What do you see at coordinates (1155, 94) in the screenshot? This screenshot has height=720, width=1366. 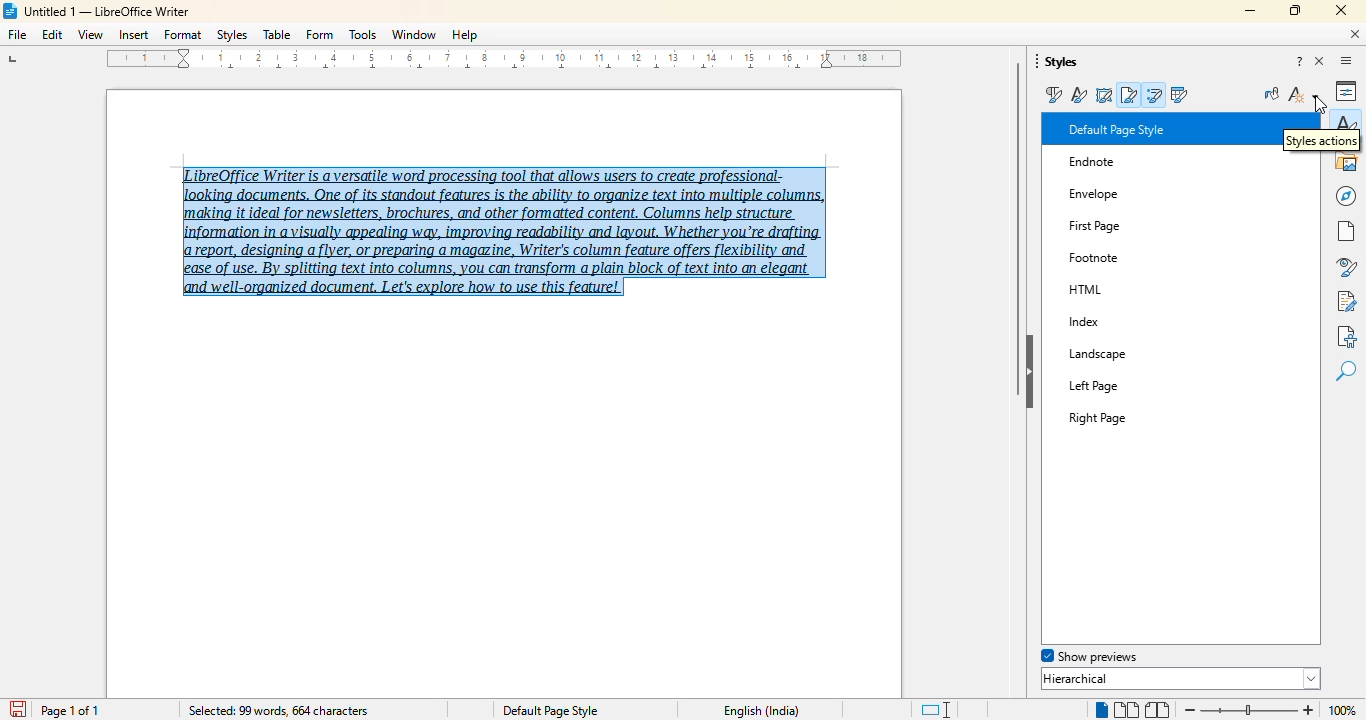 I see `list styles` at bounding box center [1155, 94].